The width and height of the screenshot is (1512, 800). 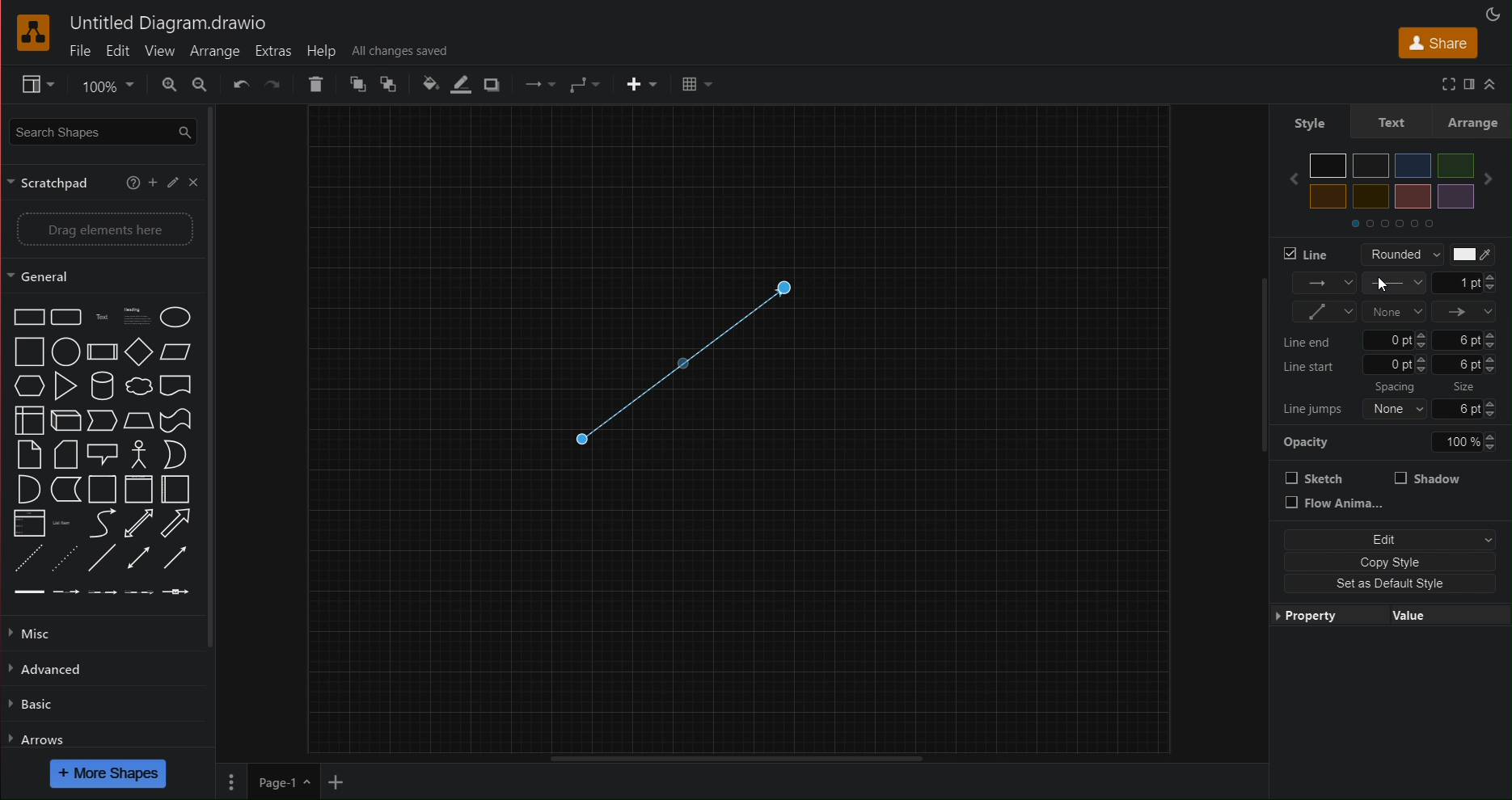 I want to click on Arrange, so click(x=1473, y=122).